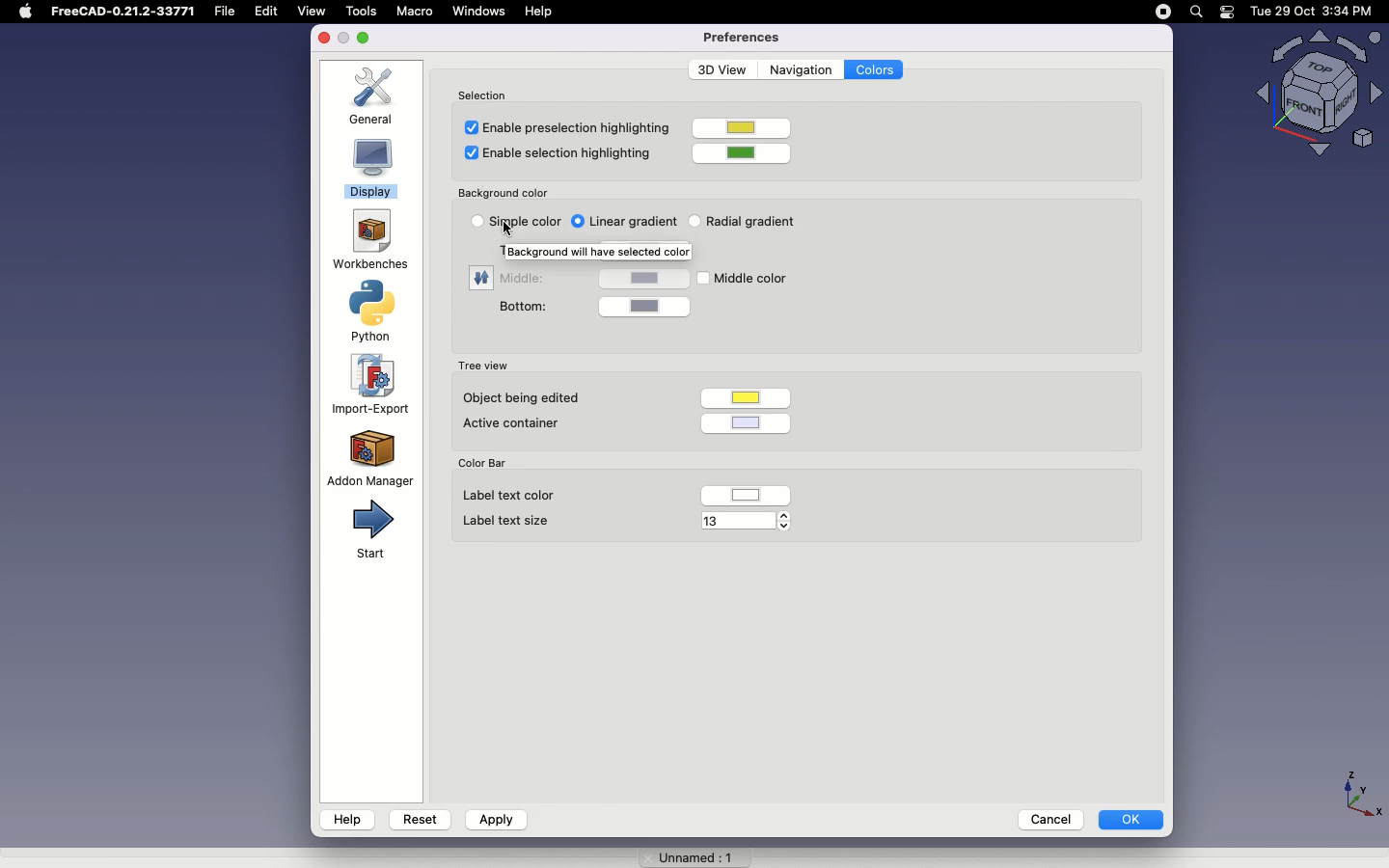 The image size is (1389, 868). I want to click on axis - X,Y,Z, so click(1359, 791).